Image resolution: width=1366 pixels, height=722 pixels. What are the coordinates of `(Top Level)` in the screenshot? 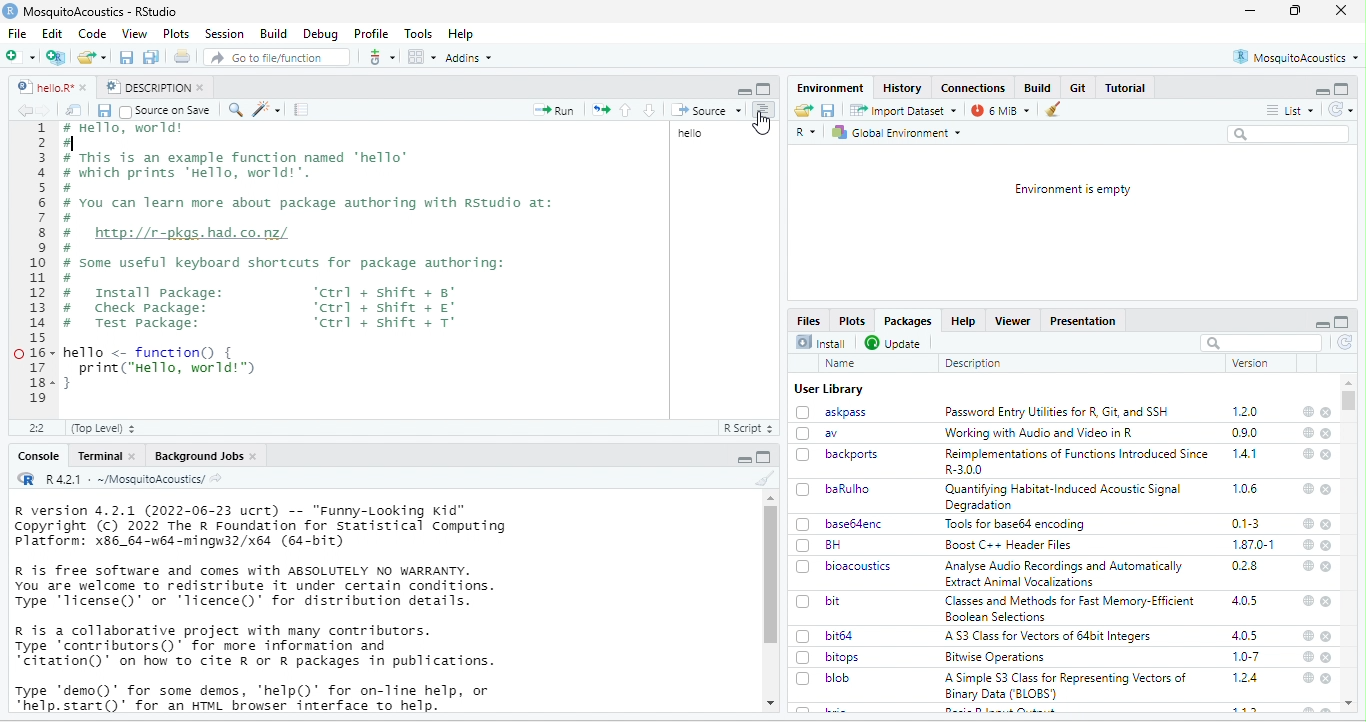 It's located at (105, 428).